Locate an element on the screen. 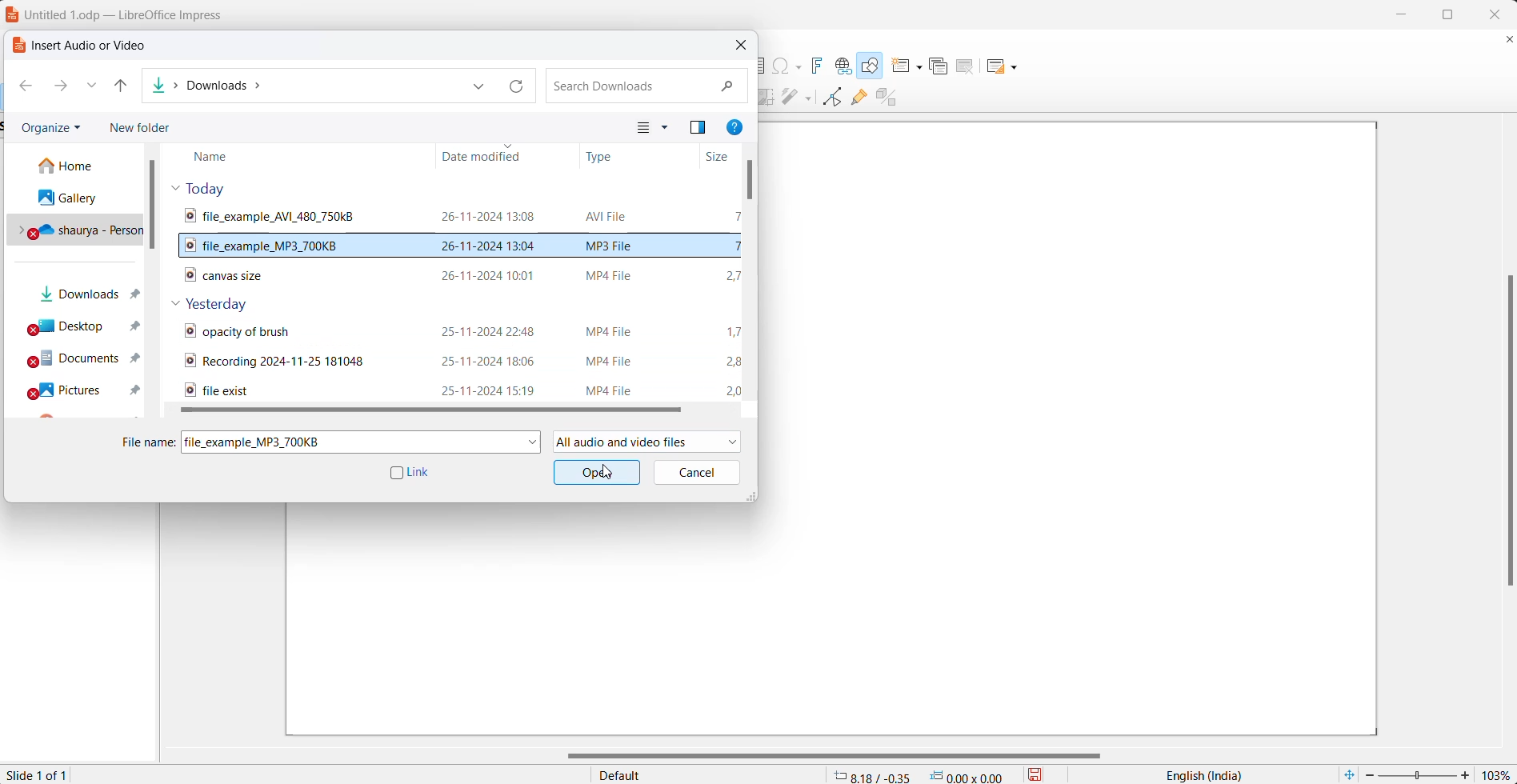 This screenshot has width=1517, height=784. video file name is located at coordinates (238, 277).